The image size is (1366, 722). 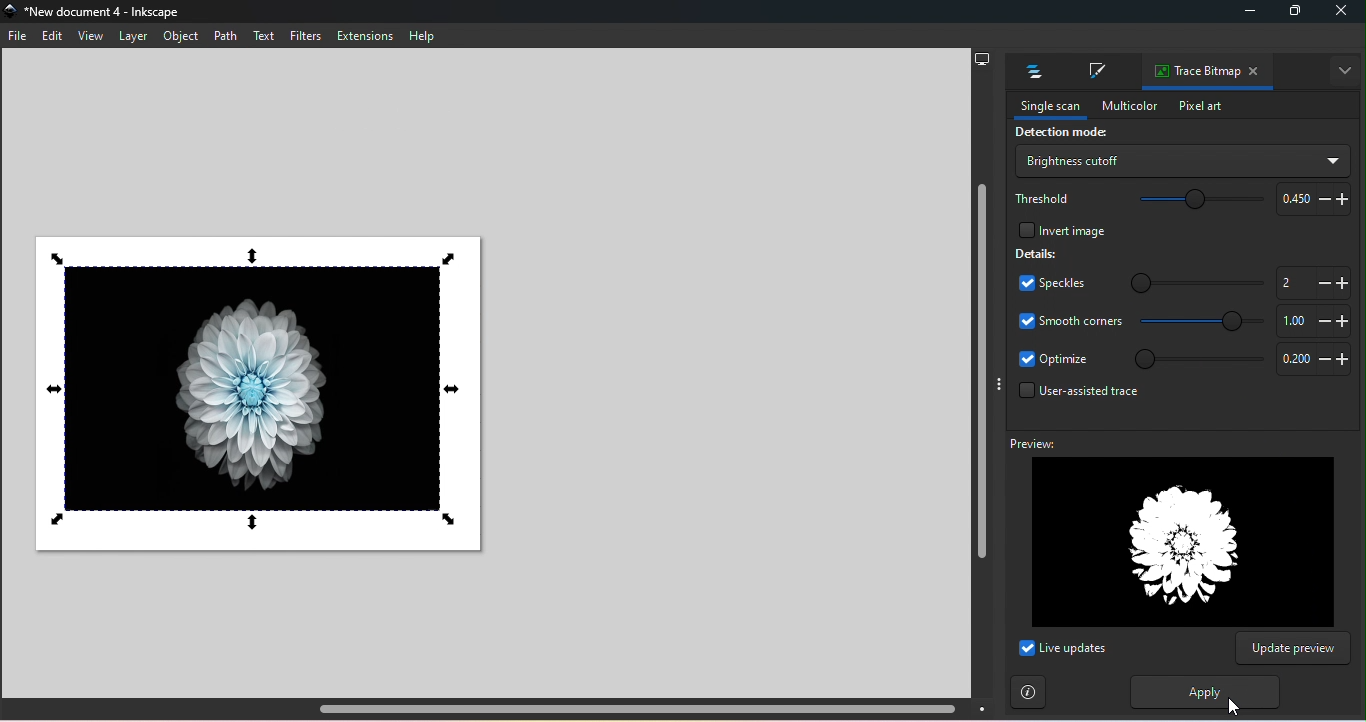 I want to click on Multicolor, so click(x=1124, y=104).